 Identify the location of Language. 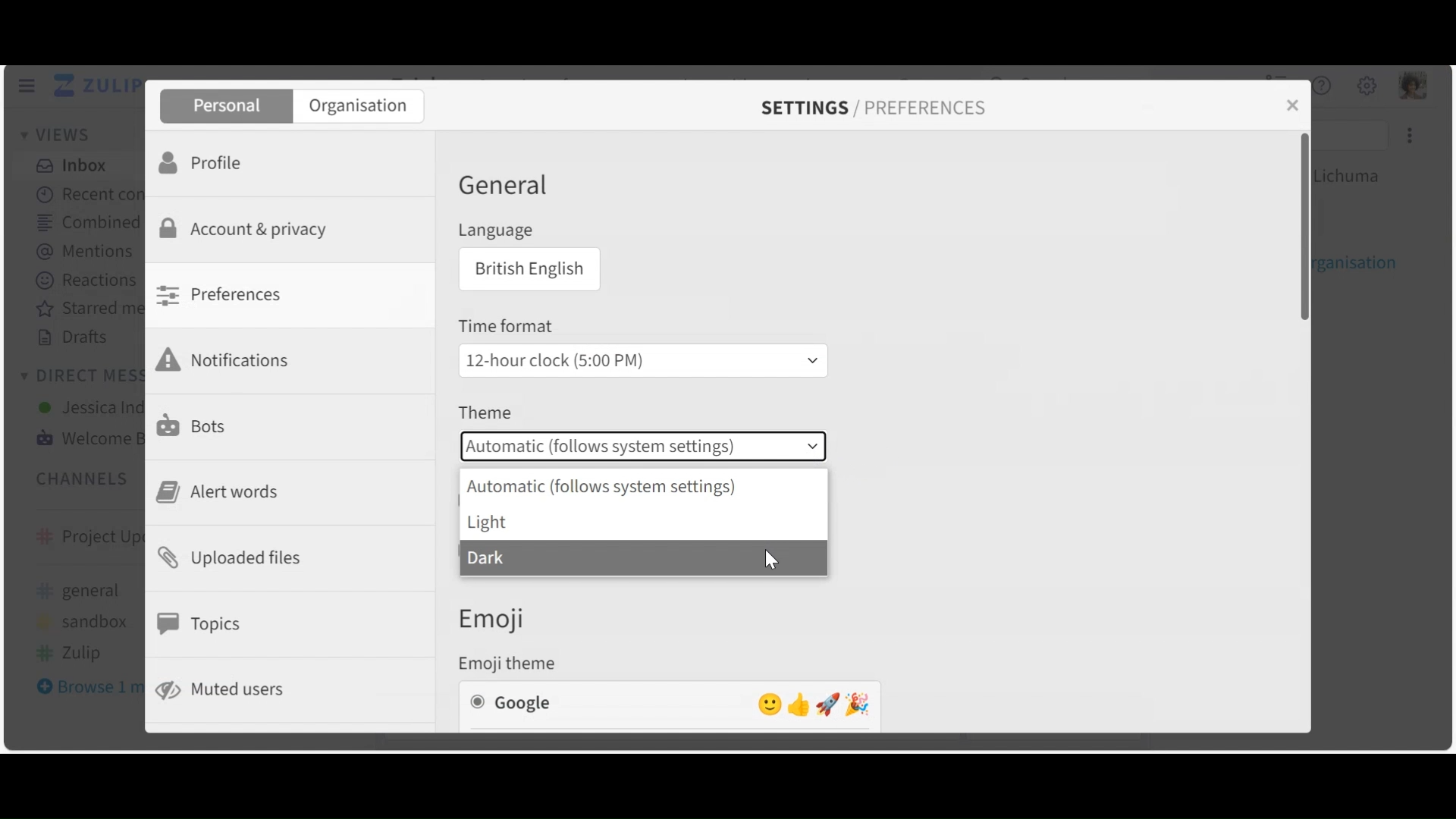
(494, 231).